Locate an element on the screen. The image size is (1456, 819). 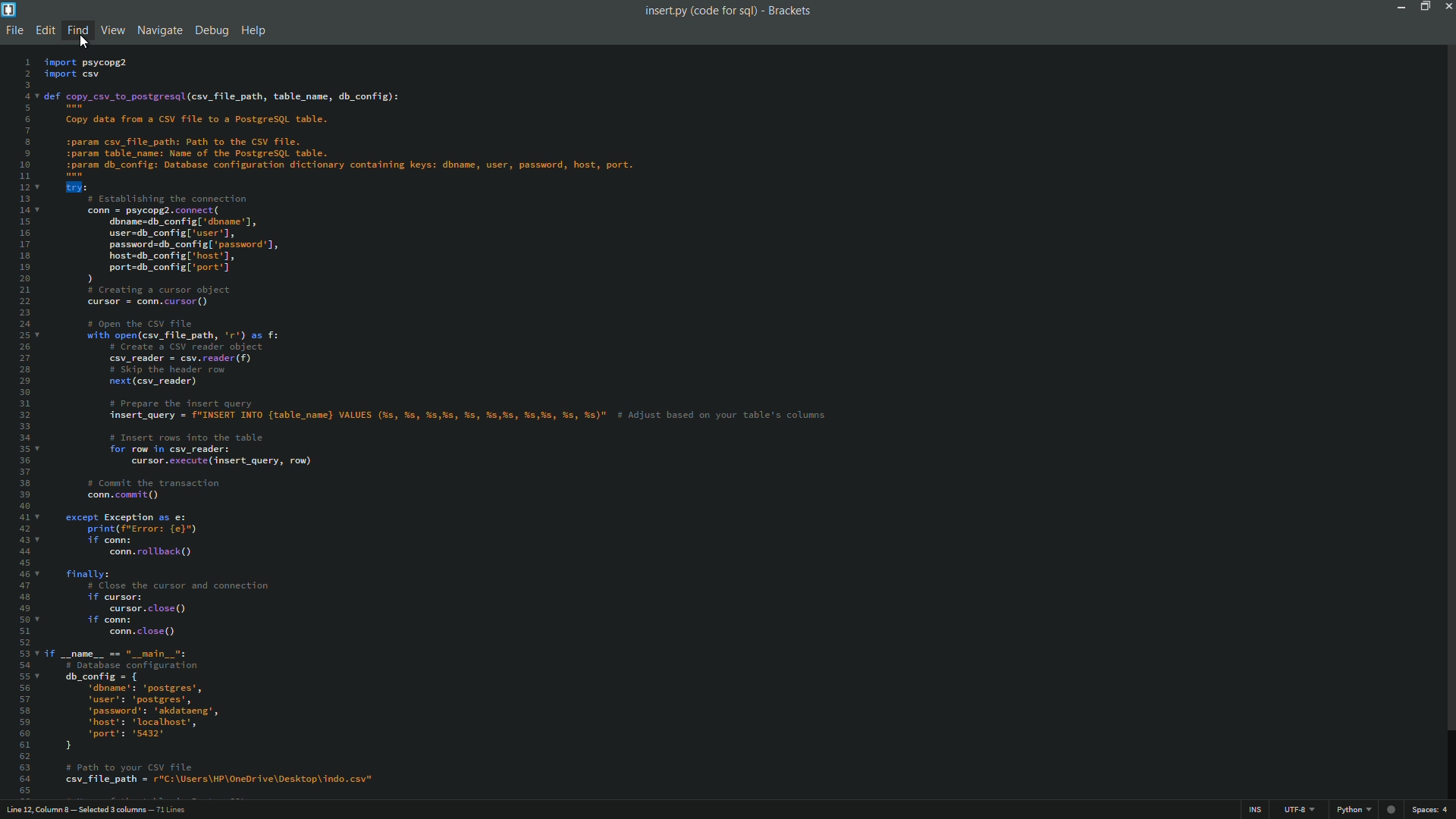
cursor position is located at coordinates (99, 811).